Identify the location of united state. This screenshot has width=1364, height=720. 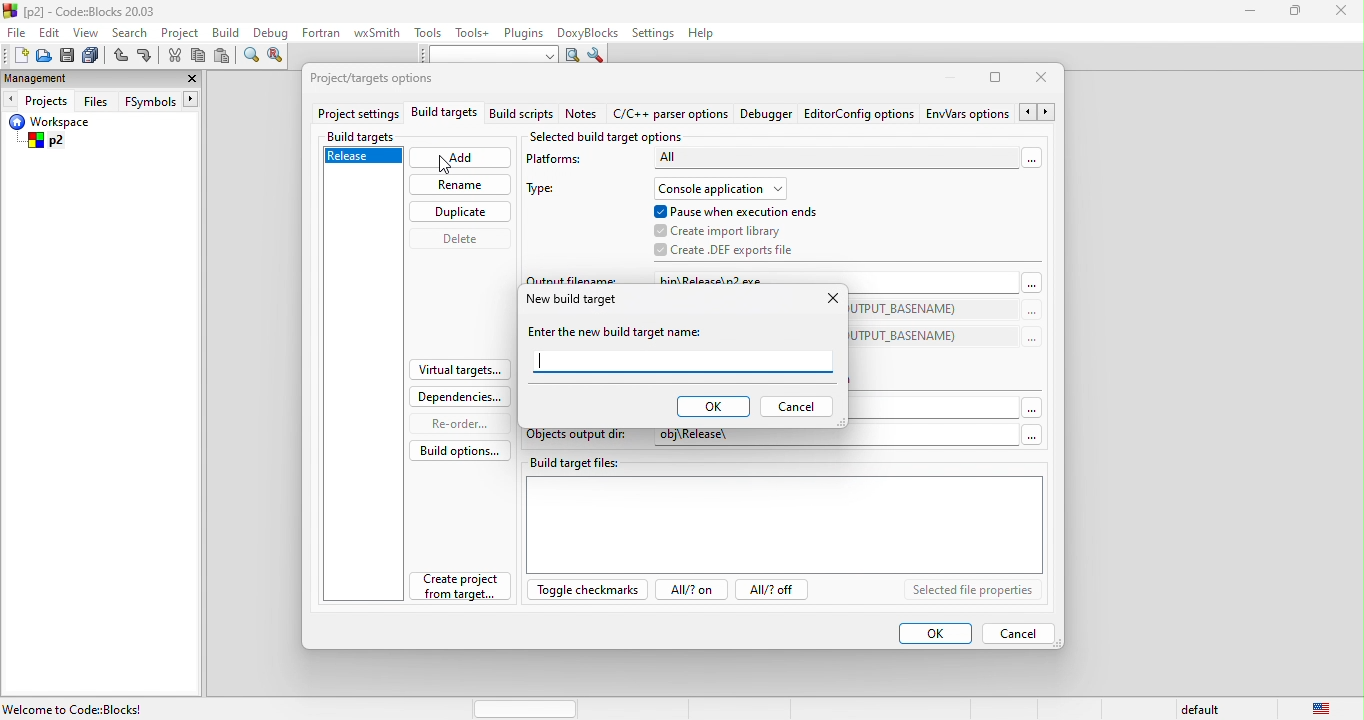
(1324, 707).